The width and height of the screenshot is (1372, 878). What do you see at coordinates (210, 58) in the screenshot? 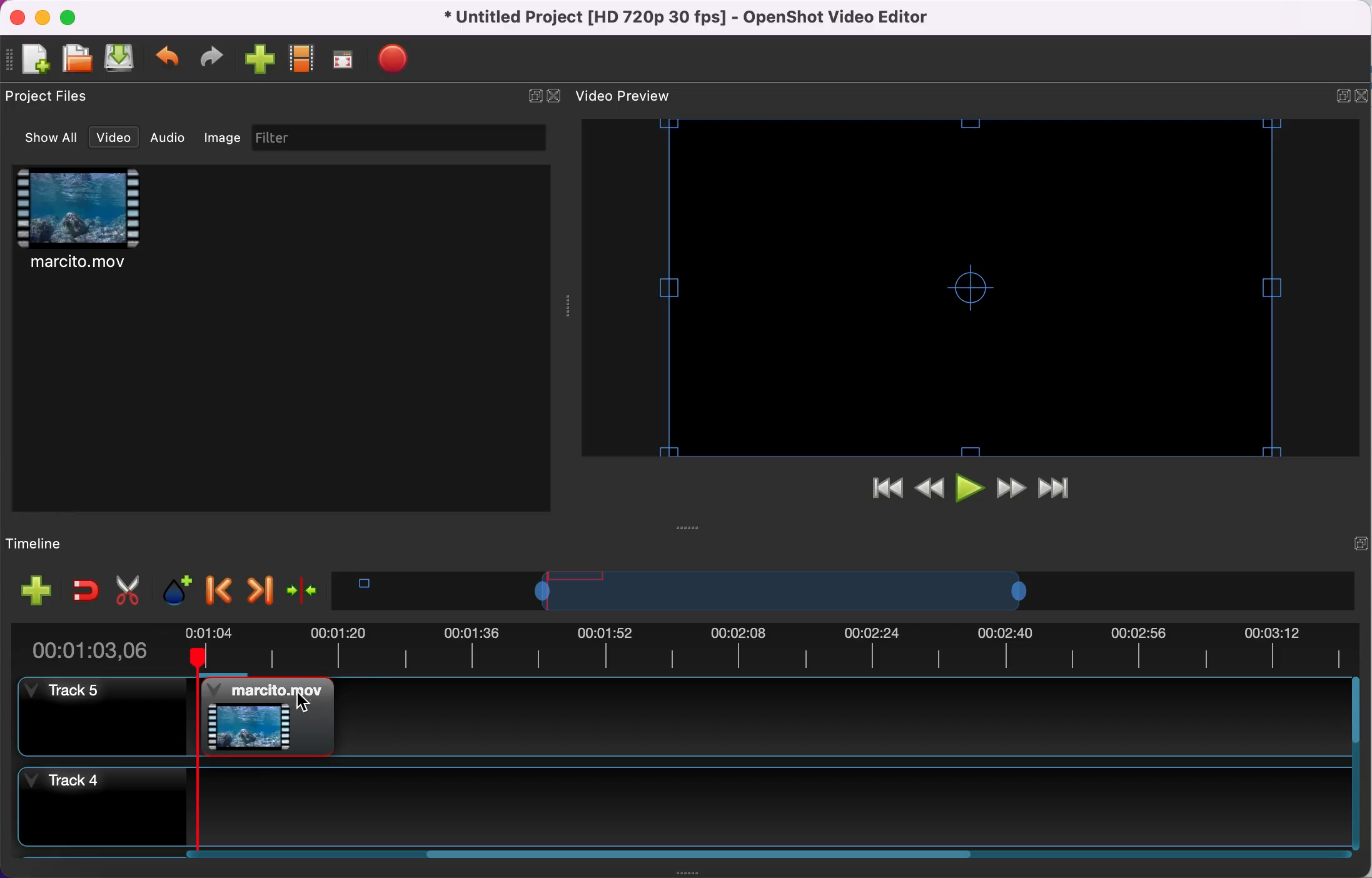
I see `redo` at bounding box center [210, 58].